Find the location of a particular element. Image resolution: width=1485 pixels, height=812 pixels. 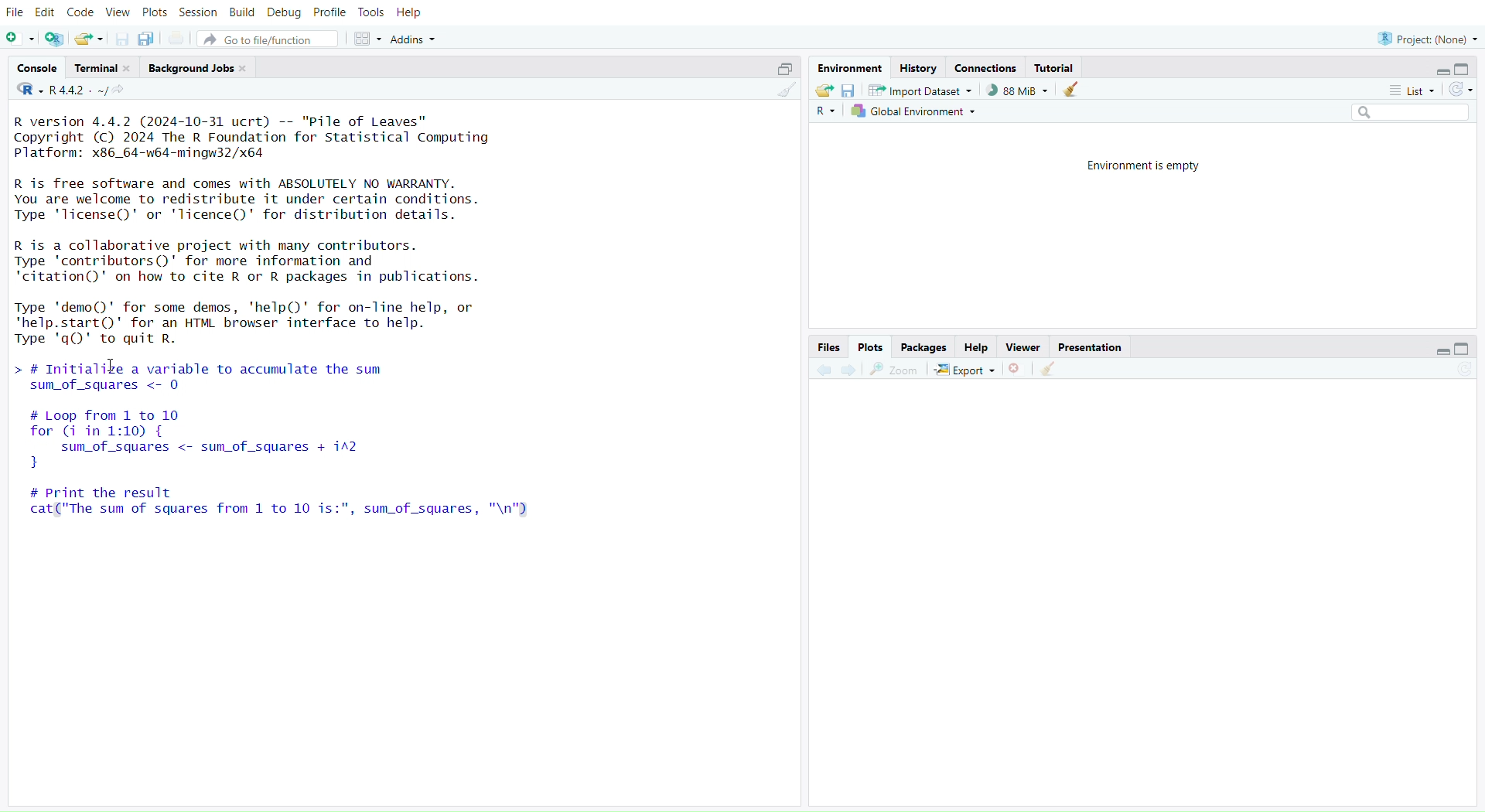

clear objects is located at coordinates (1074, 91).